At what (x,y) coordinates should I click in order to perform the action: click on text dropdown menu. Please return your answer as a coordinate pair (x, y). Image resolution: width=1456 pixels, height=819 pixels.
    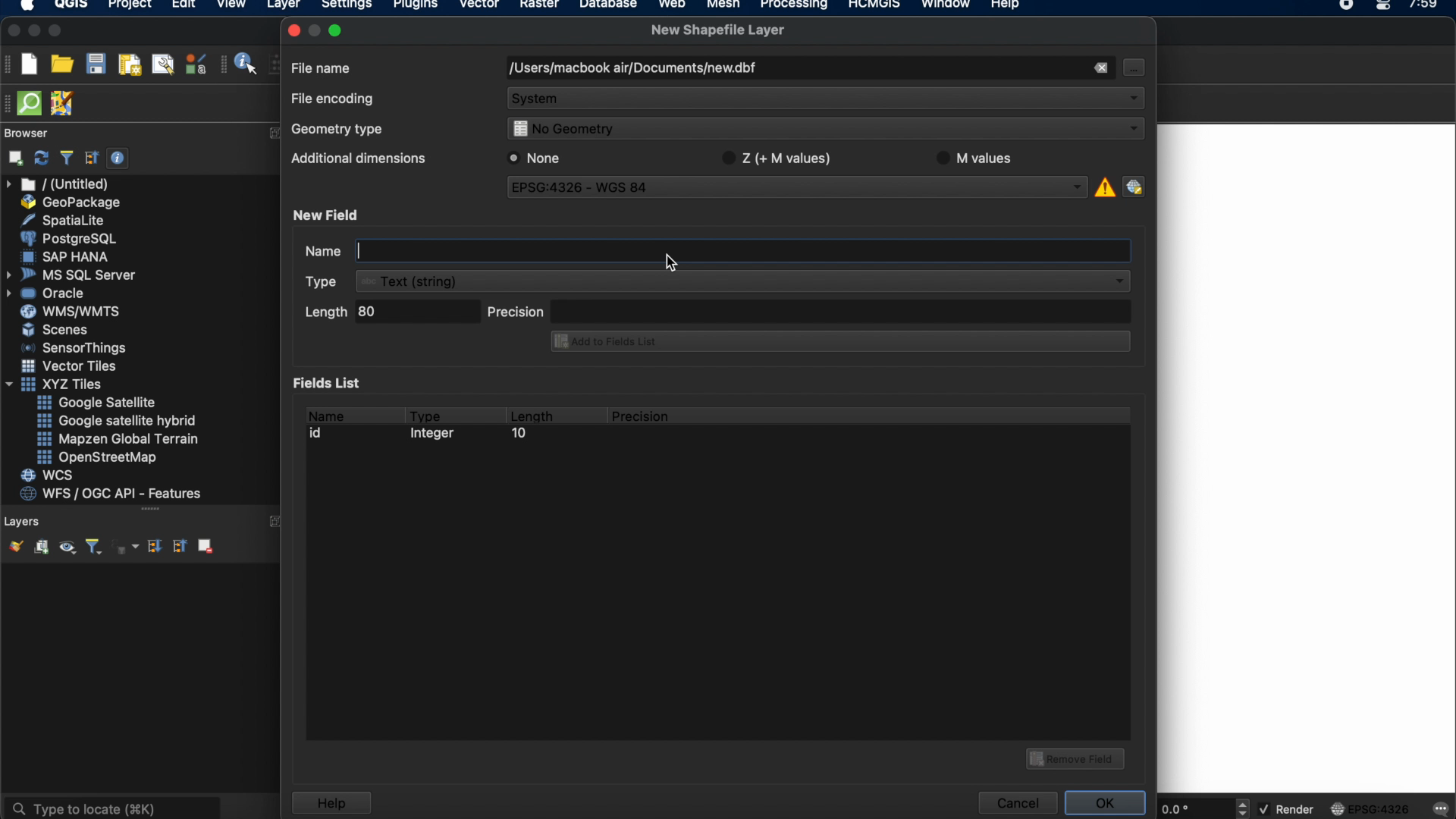
    Looking at the image, I should click on (720, 281).